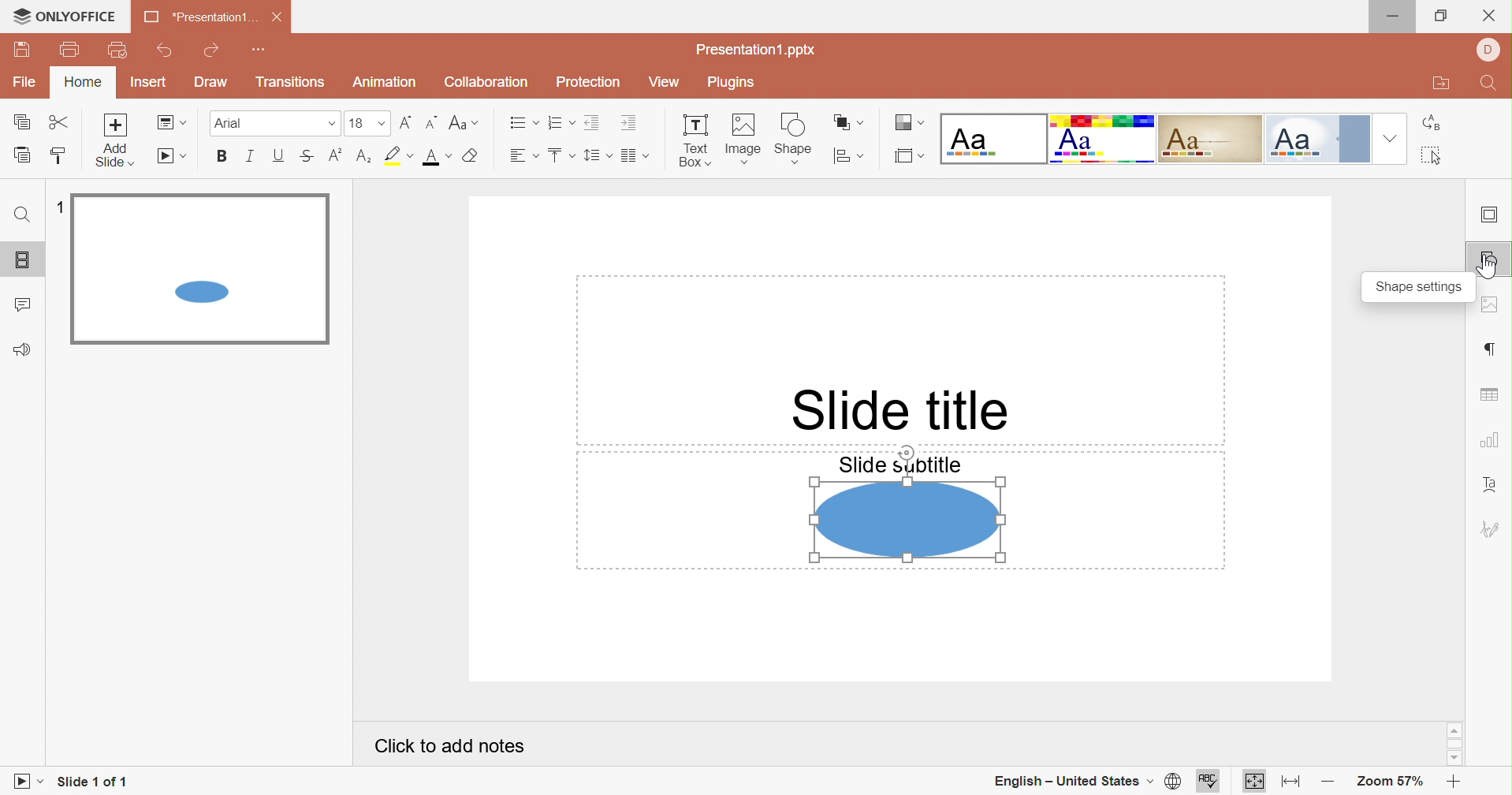  I want to click on Transitions, so click(291, 82).